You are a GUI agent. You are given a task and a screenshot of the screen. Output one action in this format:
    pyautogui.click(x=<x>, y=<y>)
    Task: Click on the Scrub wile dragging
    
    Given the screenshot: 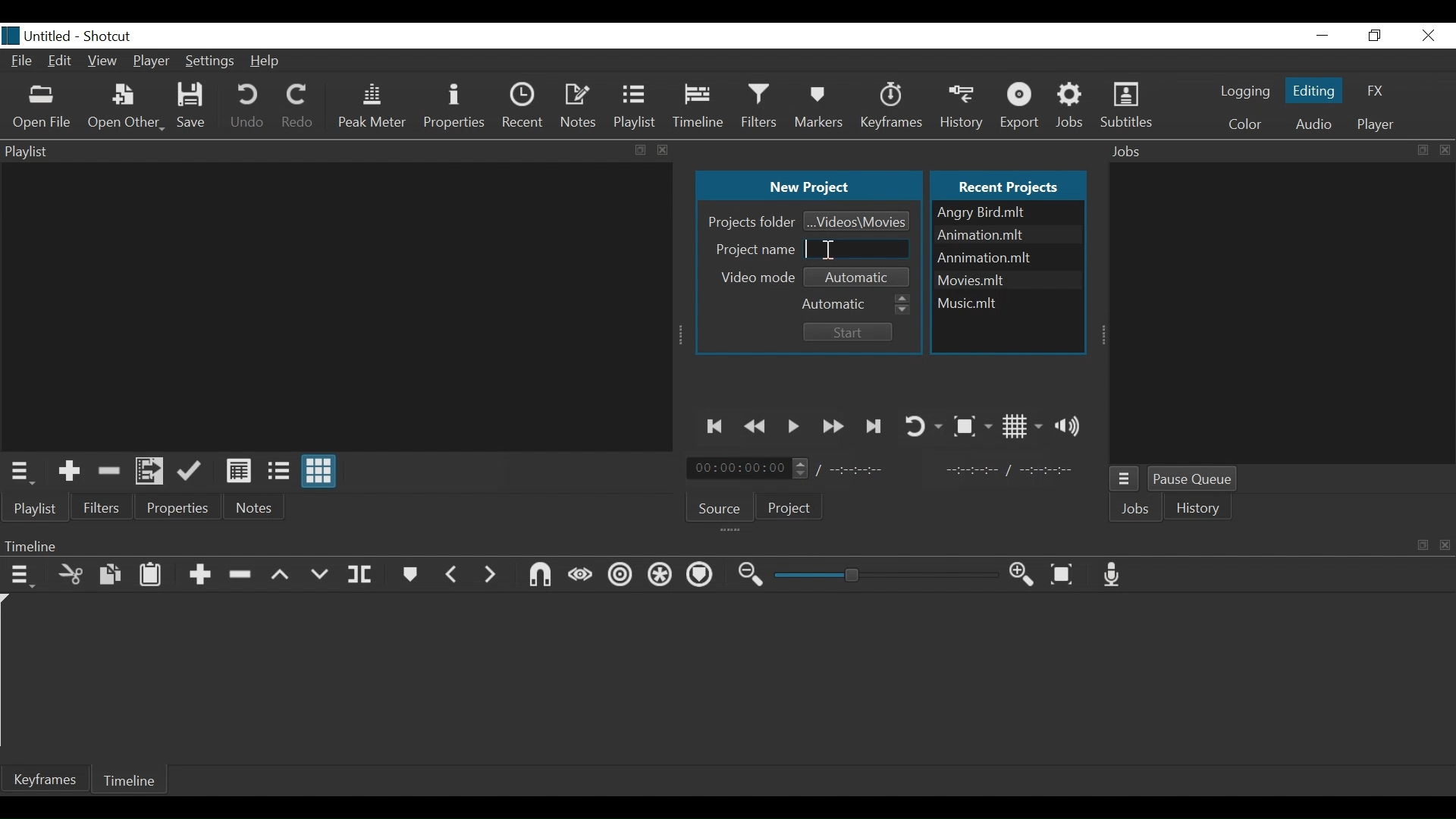 What is the action you would take?
    pyautogui.click(x=579, y=575)
    